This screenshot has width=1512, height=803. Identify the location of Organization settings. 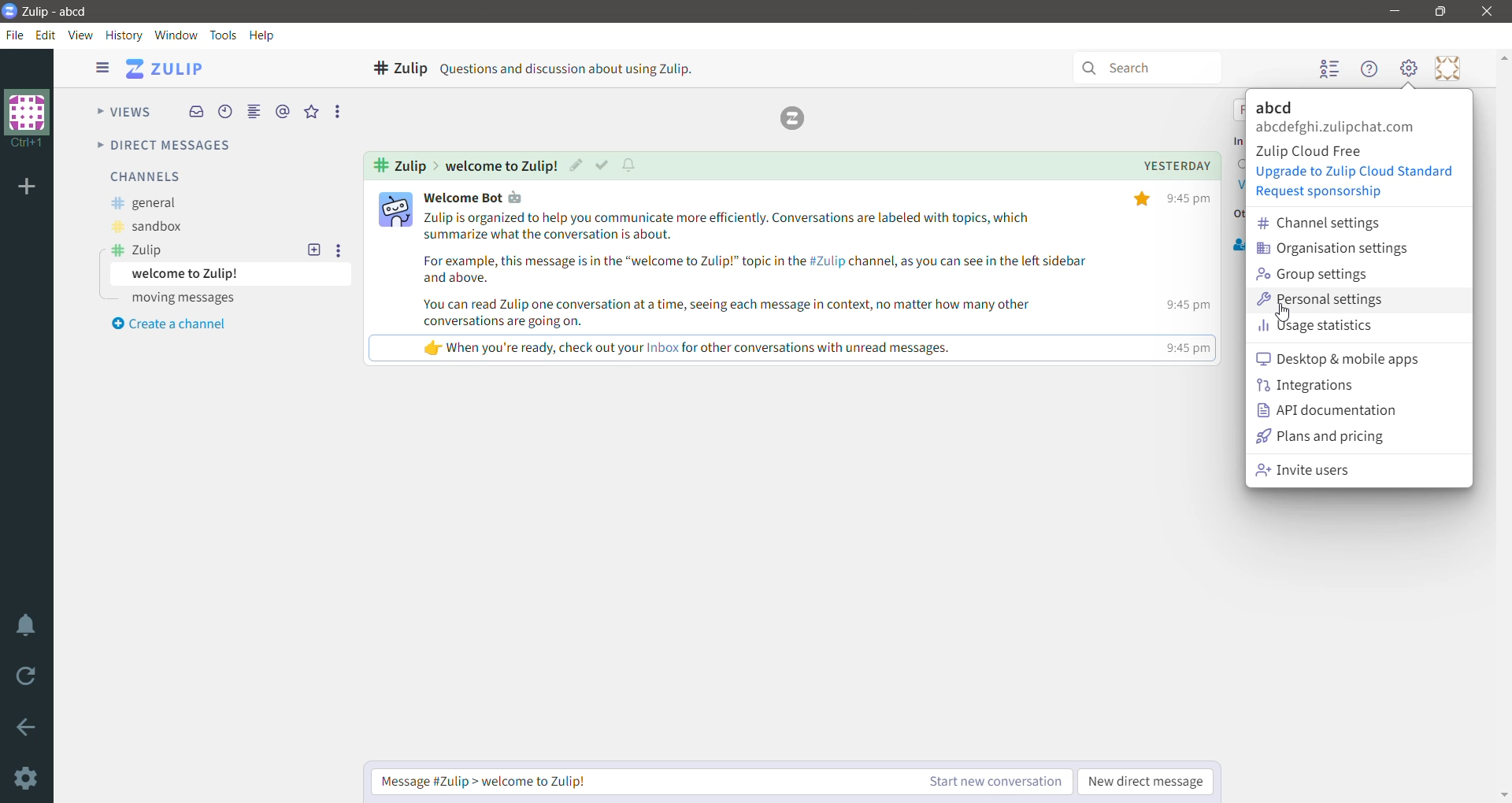
(1336, 248).